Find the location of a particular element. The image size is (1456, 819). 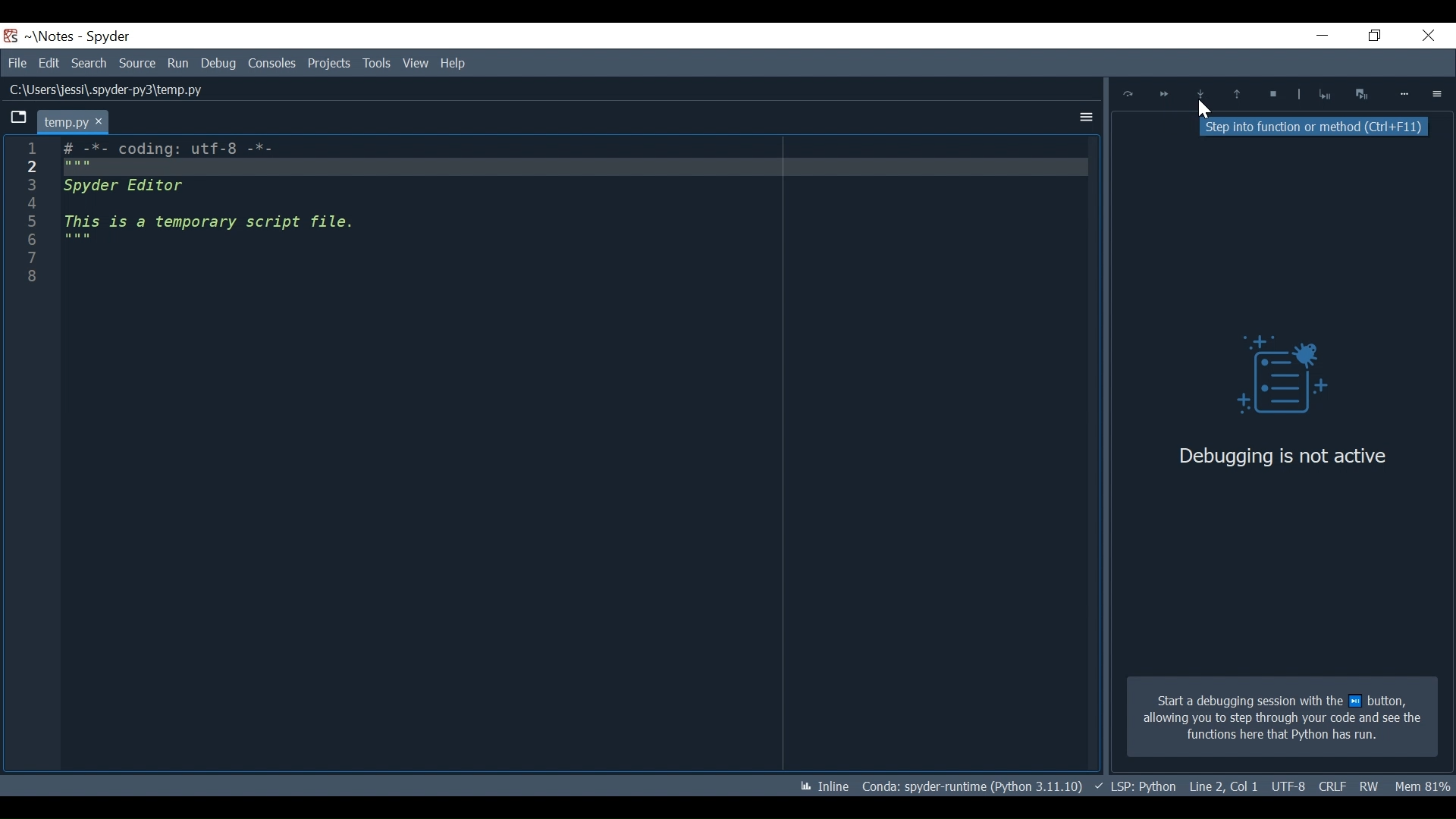

File Permission is located at coordinates (1370, 786).